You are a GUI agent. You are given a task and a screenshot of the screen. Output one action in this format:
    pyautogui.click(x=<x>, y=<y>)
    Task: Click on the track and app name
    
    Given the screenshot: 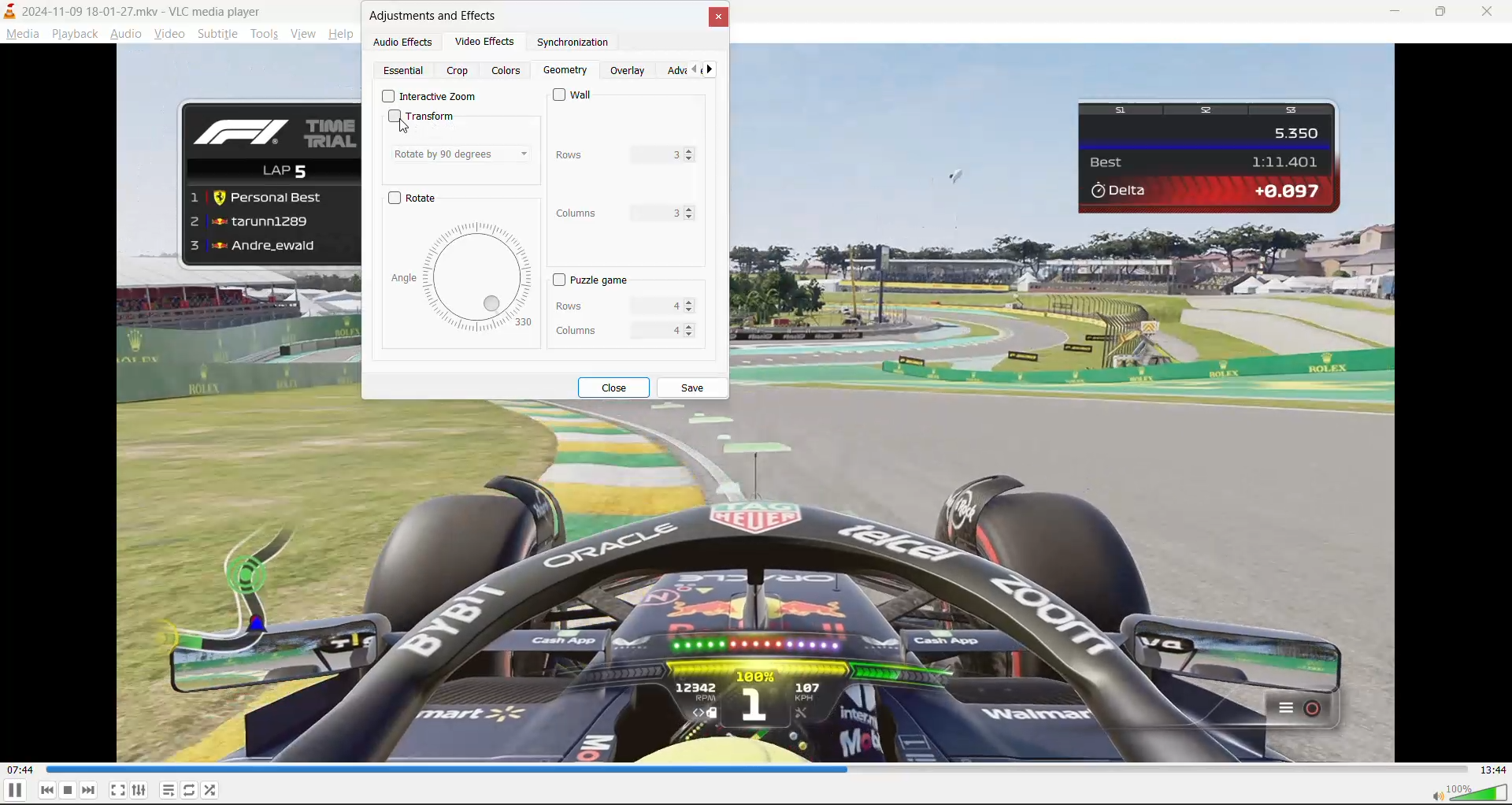 What is the action you would take?
    pyautogui.click(x=135, y=10)
    